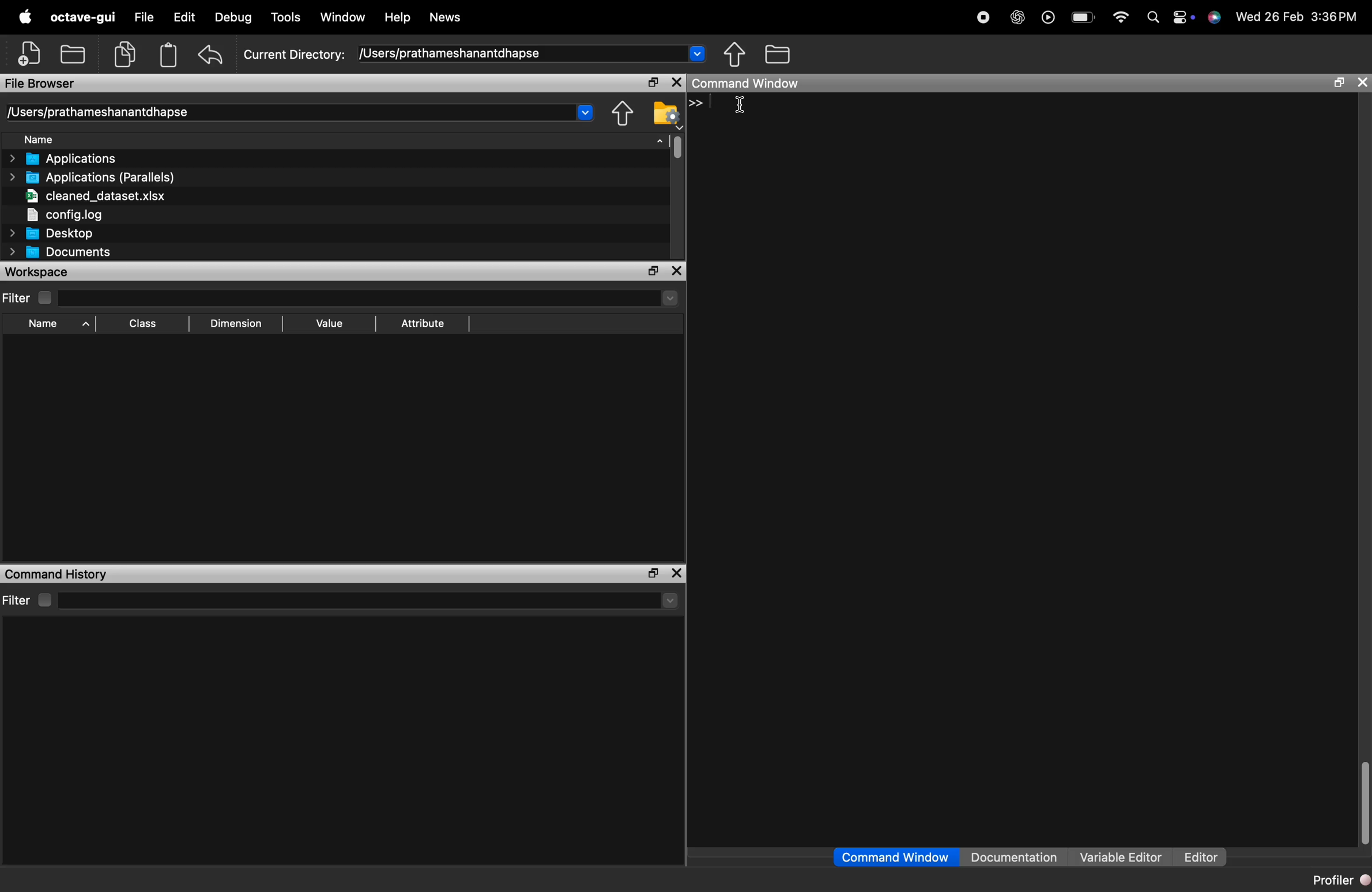 The image size is (1372, 892). I want to click on Editor, so click(1203, 856).